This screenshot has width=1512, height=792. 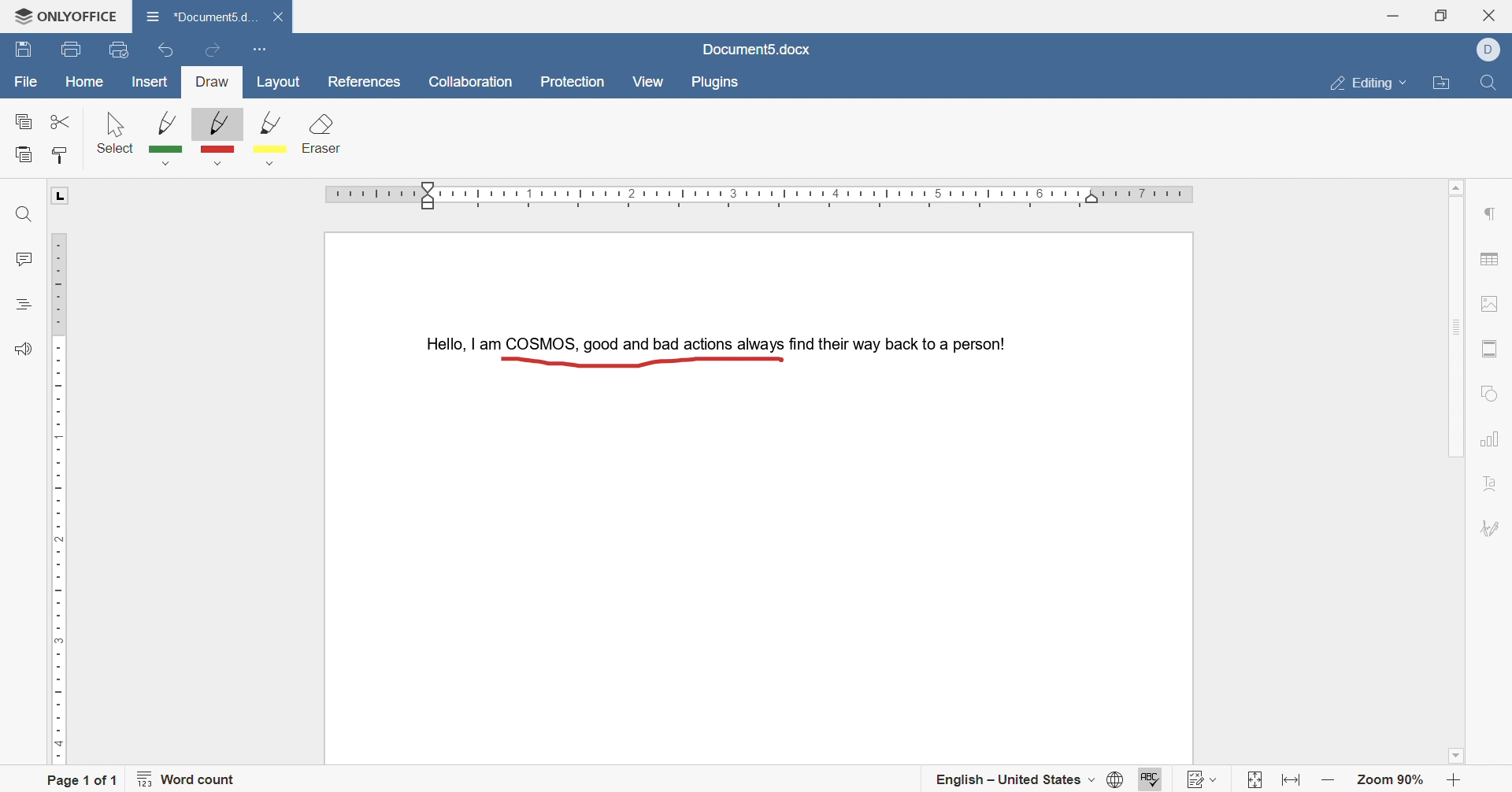 I want to click on text art settings, so click(x=1489, y=487).